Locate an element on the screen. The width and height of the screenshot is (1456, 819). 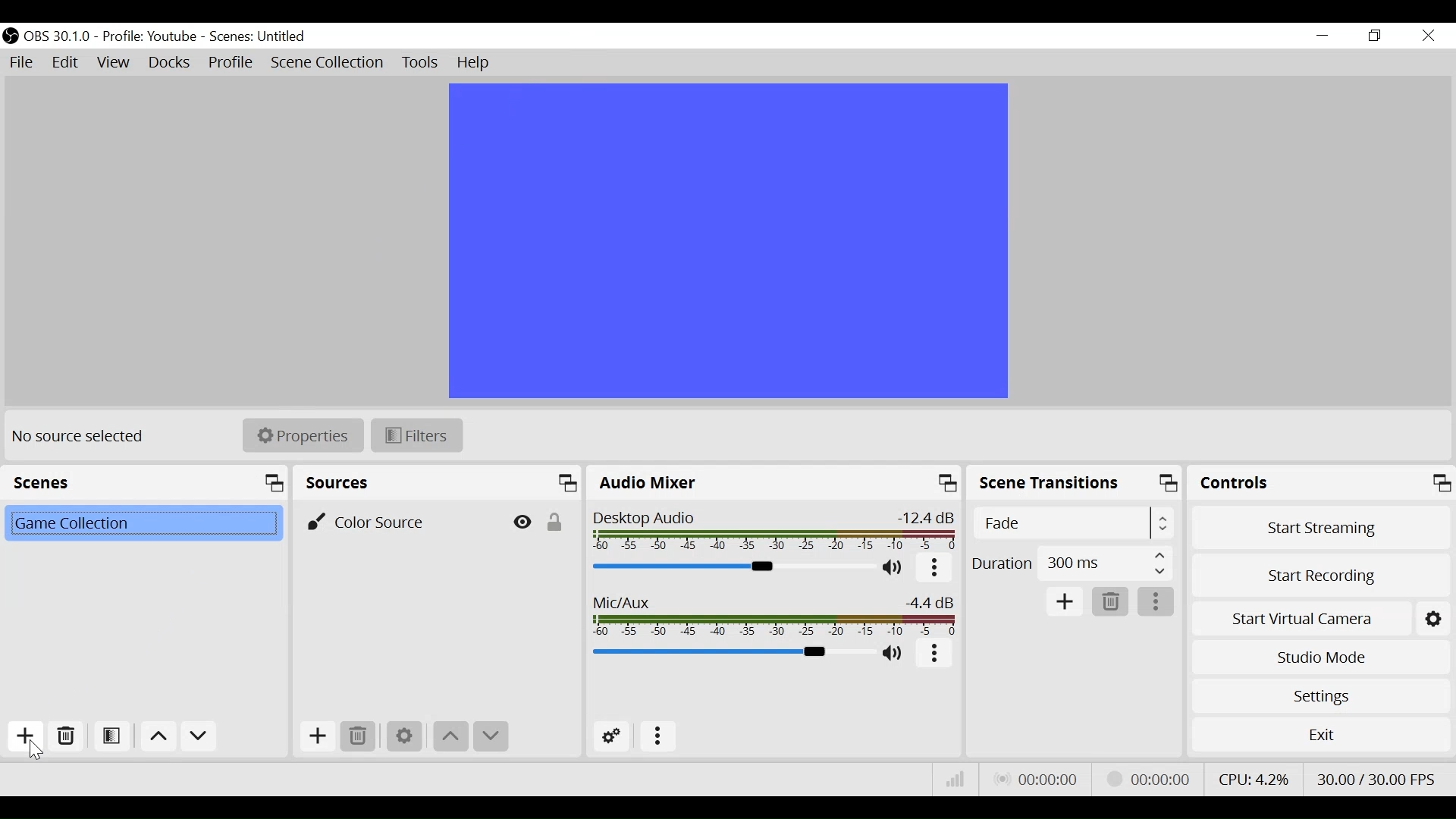
Scene Collection is located at coordinates (329, 63).